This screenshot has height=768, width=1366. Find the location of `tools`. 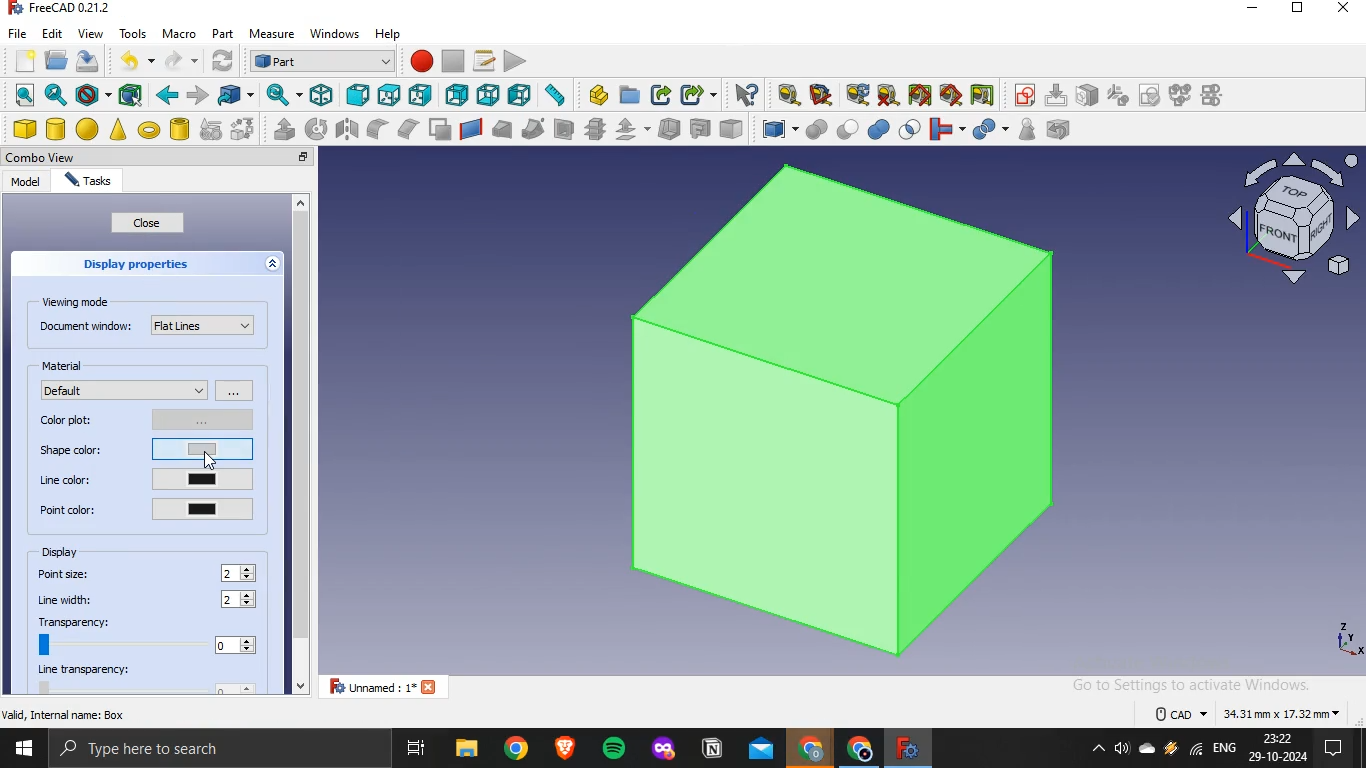

tools is located at coordinates (133, 32).